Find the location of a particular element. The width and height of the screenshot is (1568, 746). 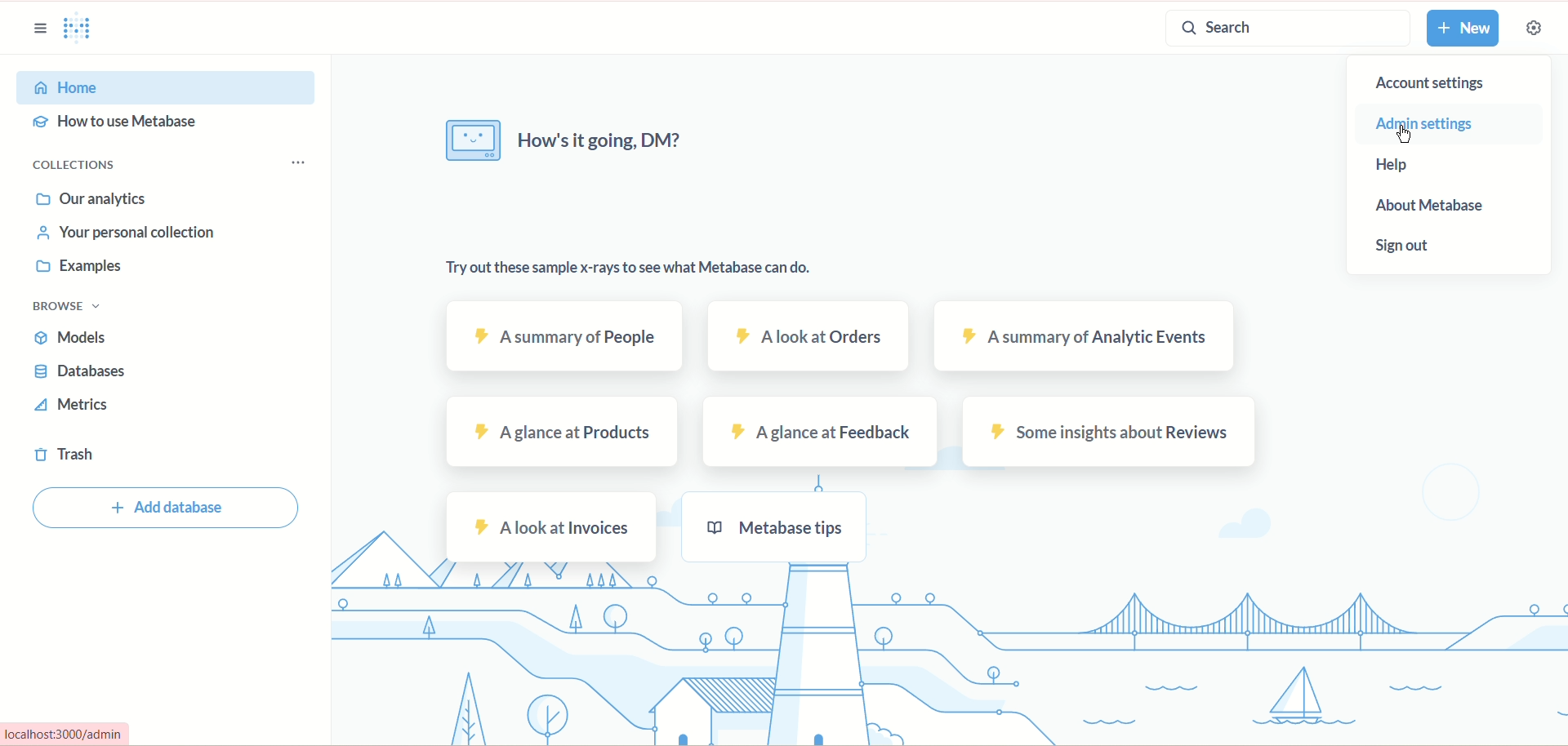

collections is located at coordinates (74, 167).